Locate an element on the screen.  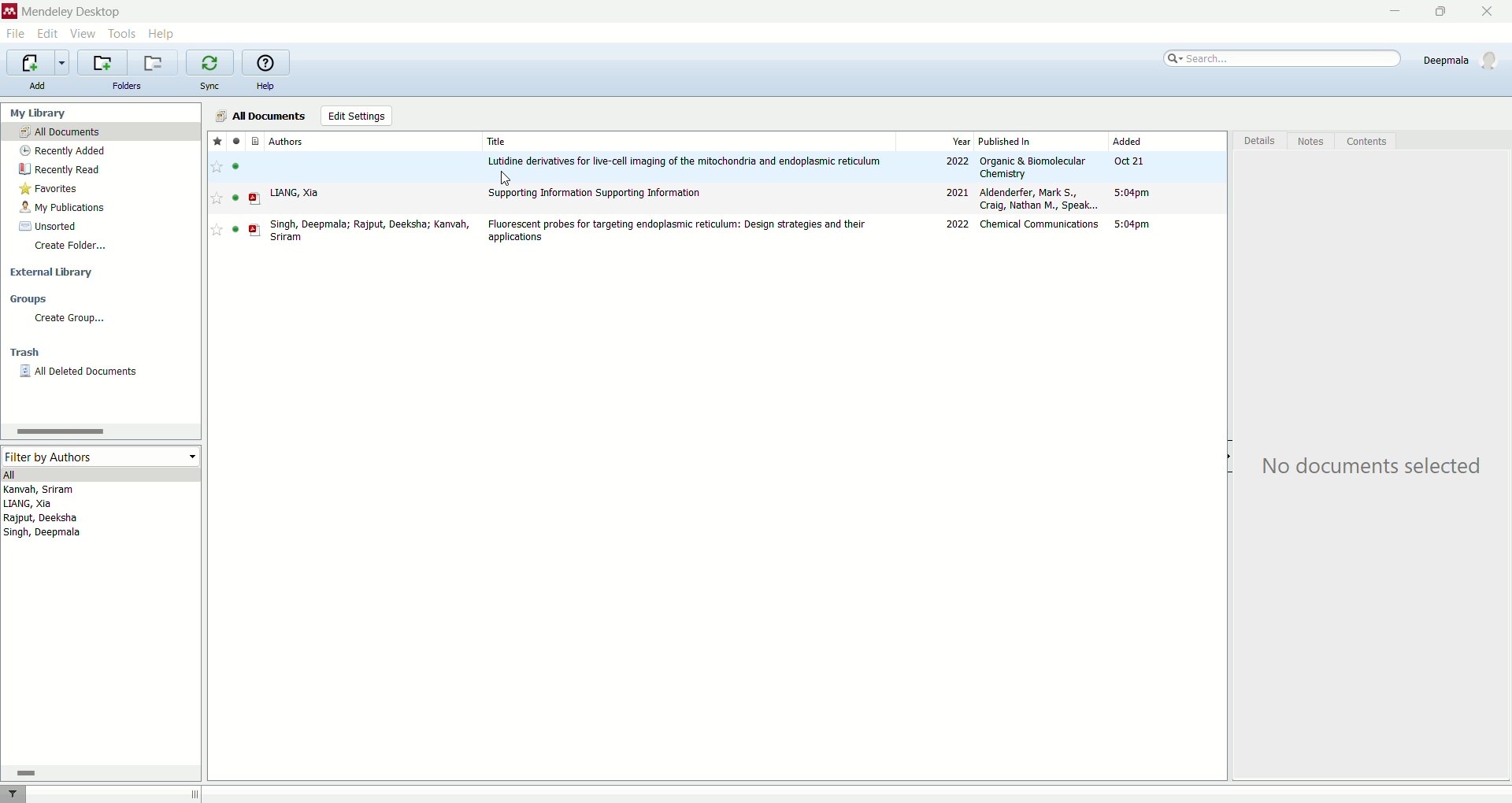
Favourite is located at coordinates (215, 230).